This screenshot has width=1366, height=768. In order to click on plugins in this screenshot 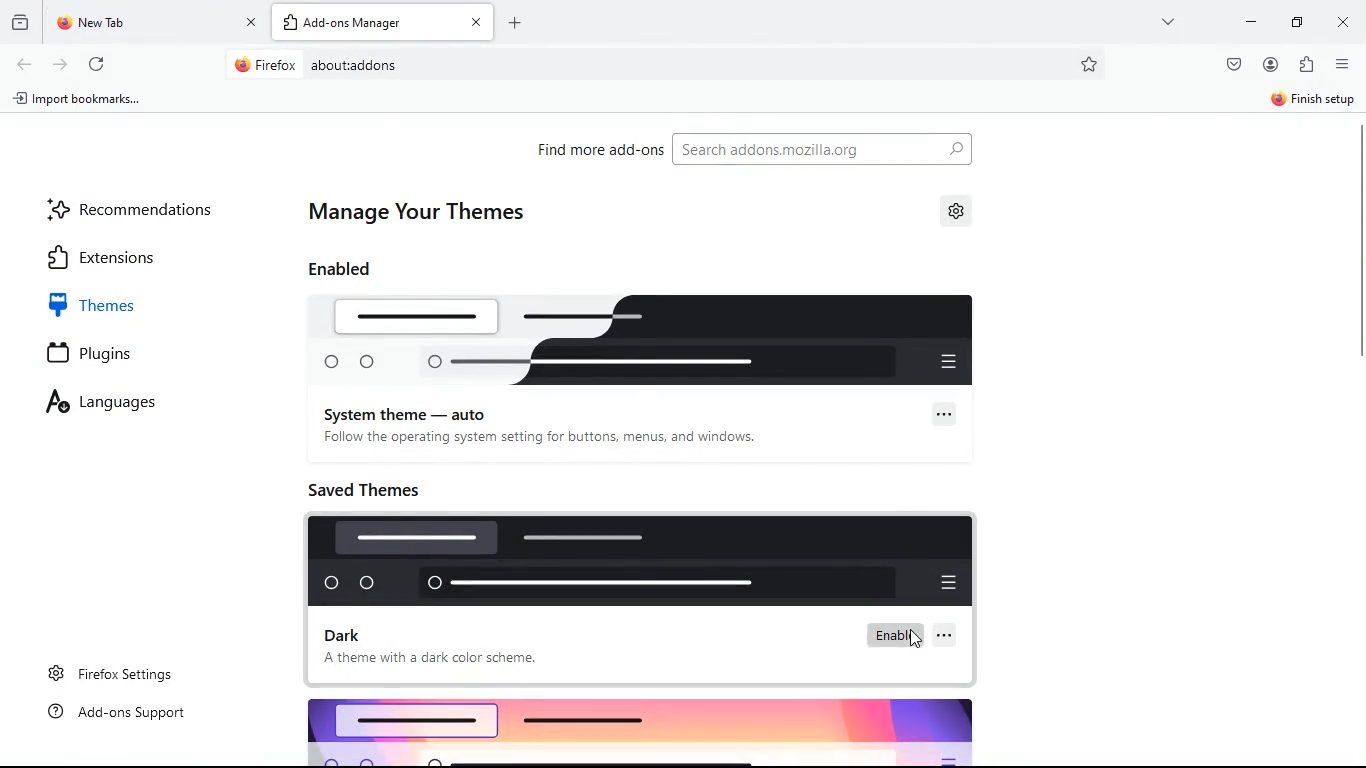, I will do `click(101, 353)`.